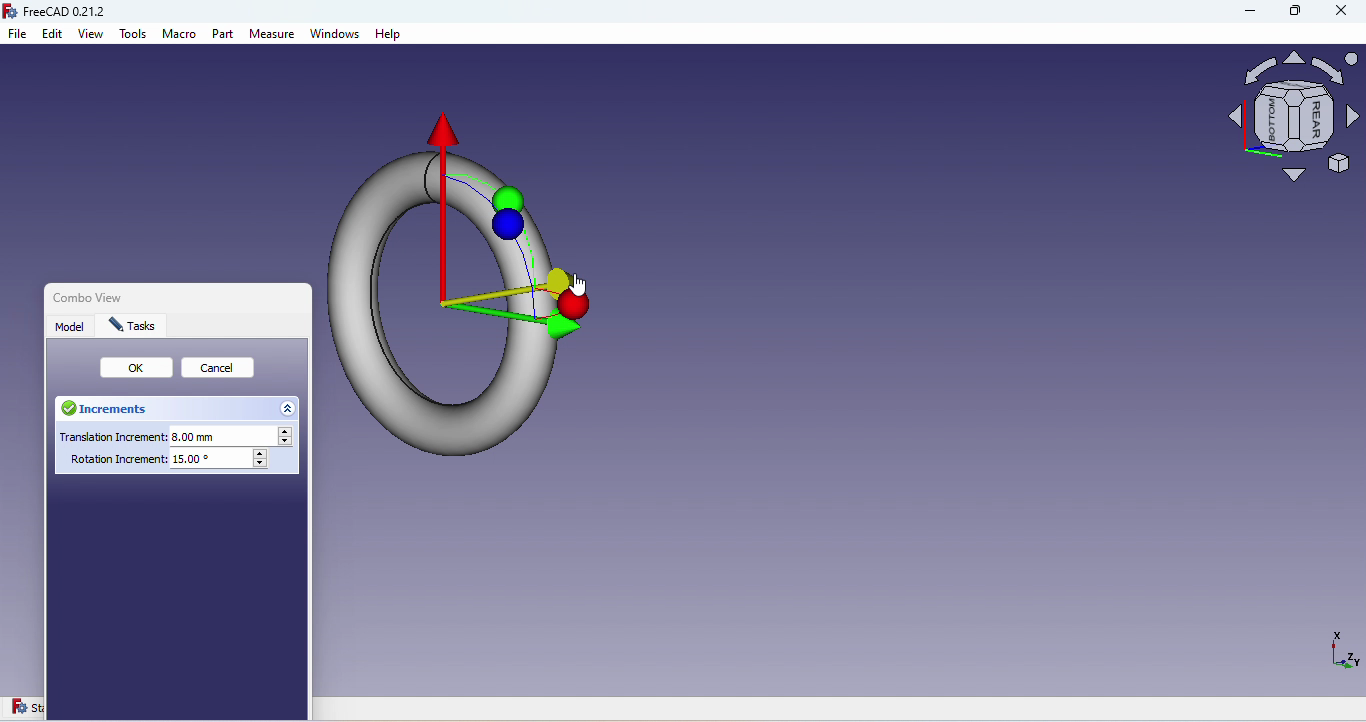  I want to click on Increase rotation increment, so click(261, 453).